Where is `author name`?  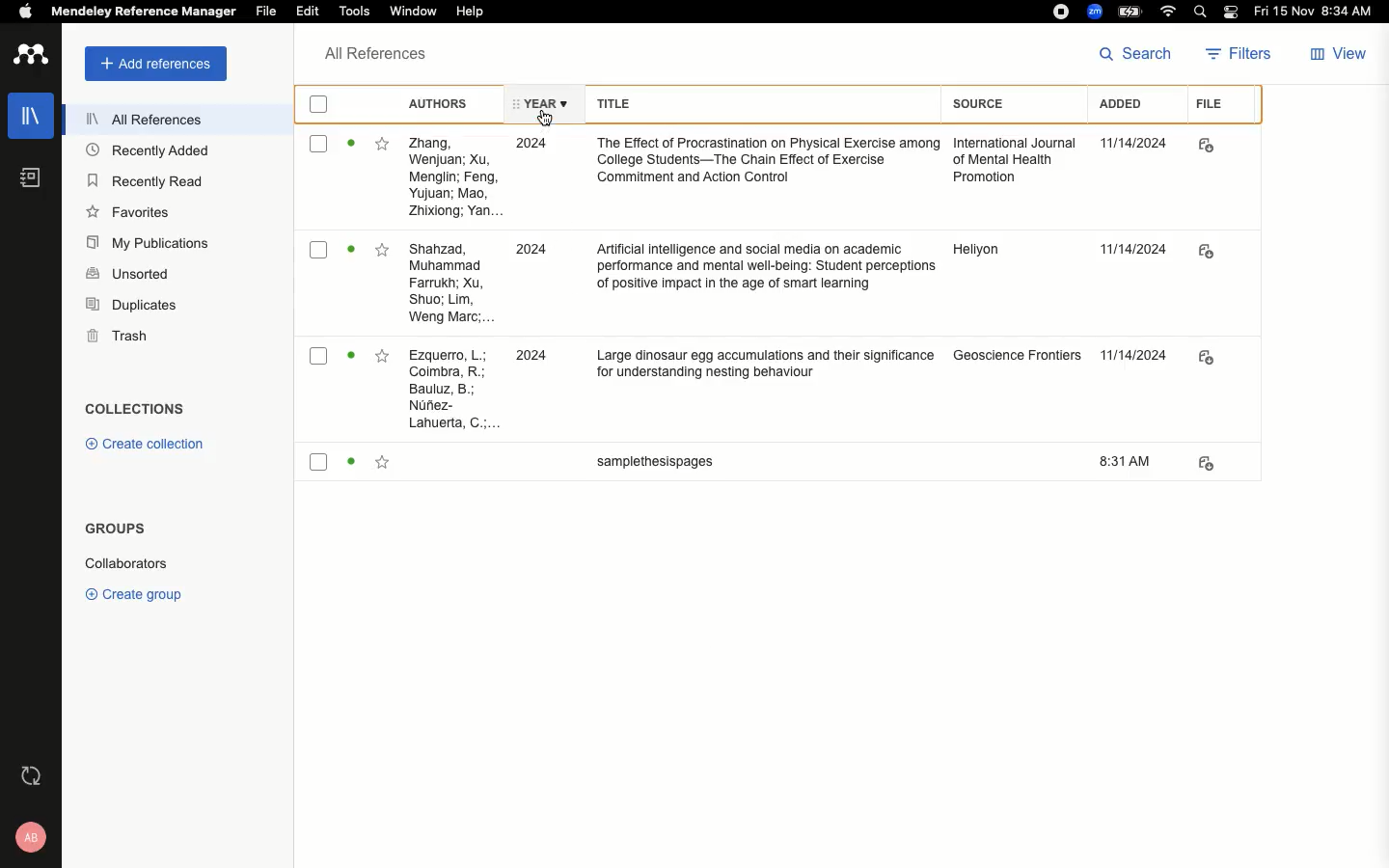
author name is located at coordinates (450, 284).